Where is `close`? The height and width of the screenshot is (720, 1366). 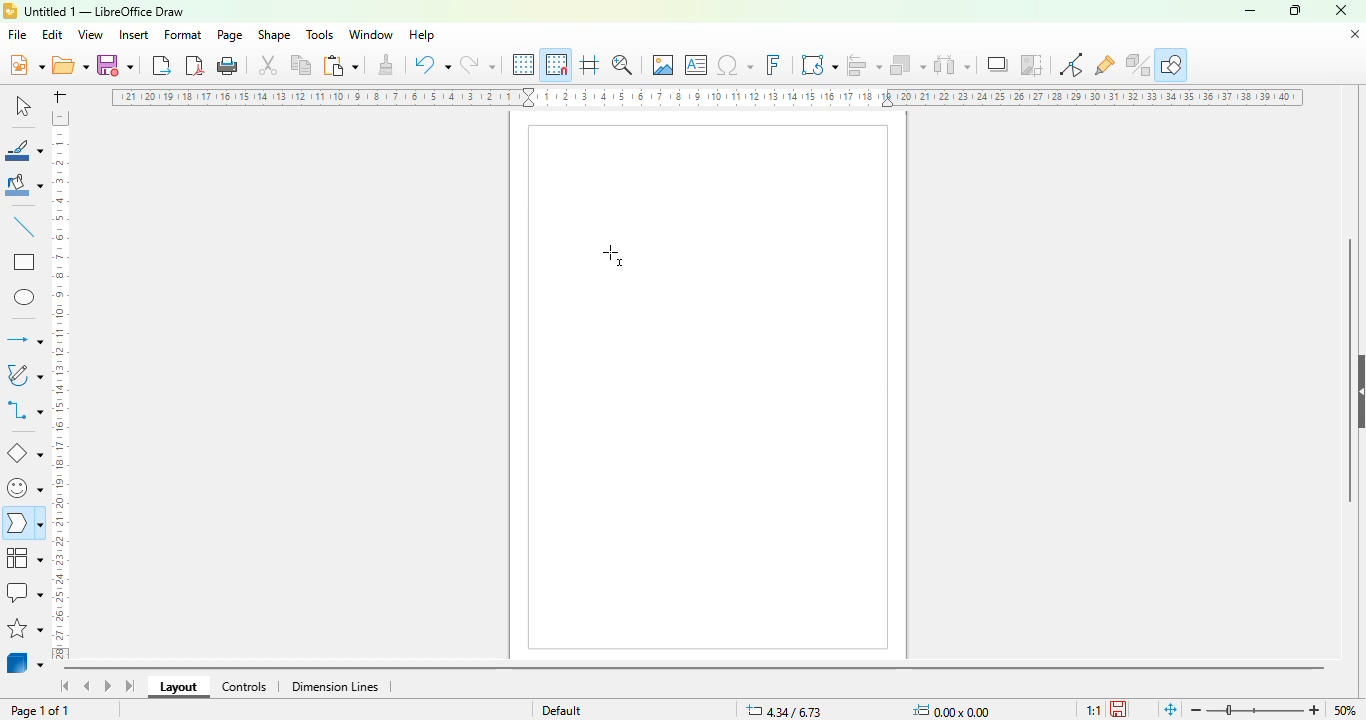
close is located at coordinates (1341, 10).